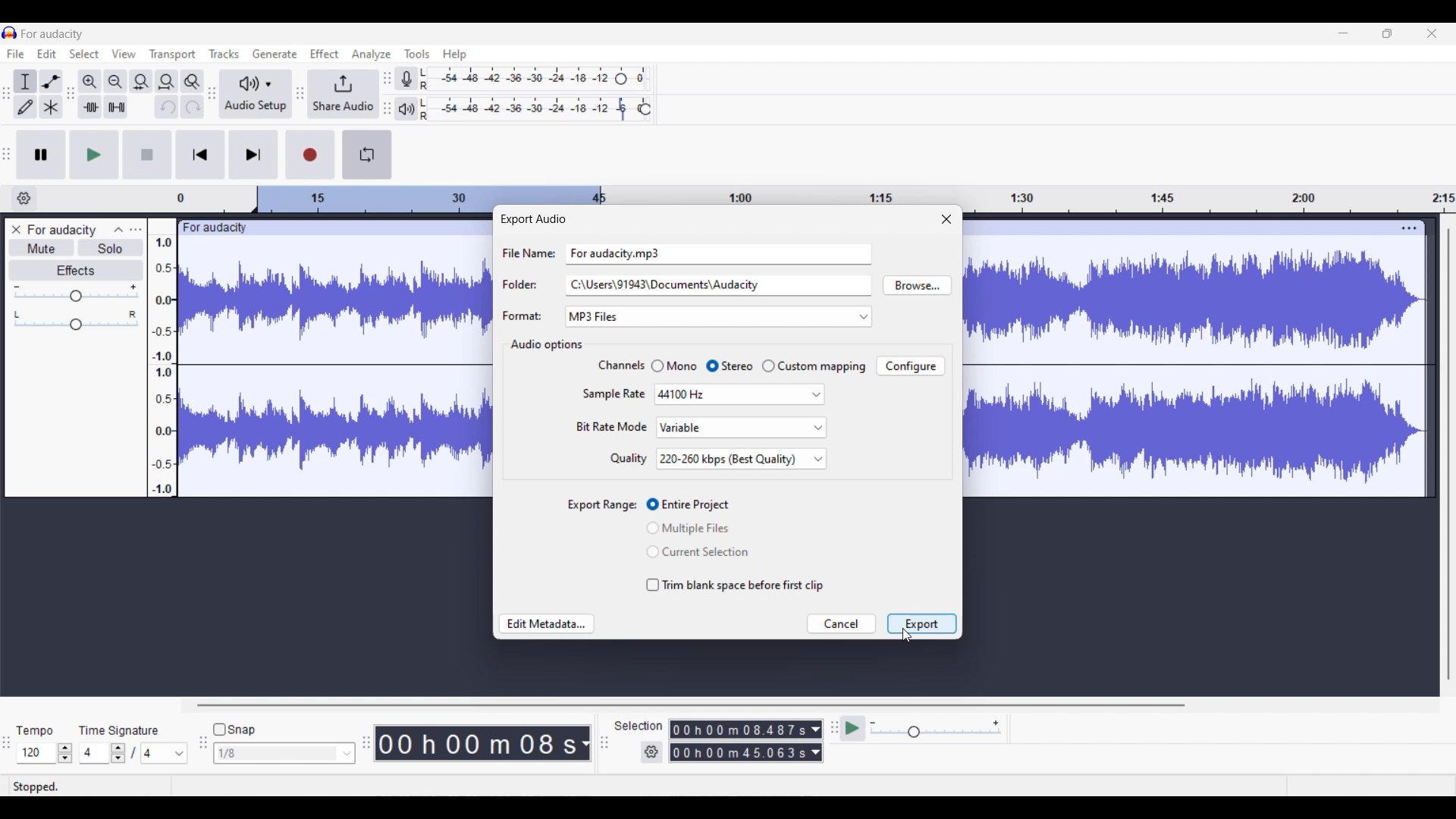  Describe the element at coordinates (51, 107) in the screenshot. I see `Multi-tool` at that location.